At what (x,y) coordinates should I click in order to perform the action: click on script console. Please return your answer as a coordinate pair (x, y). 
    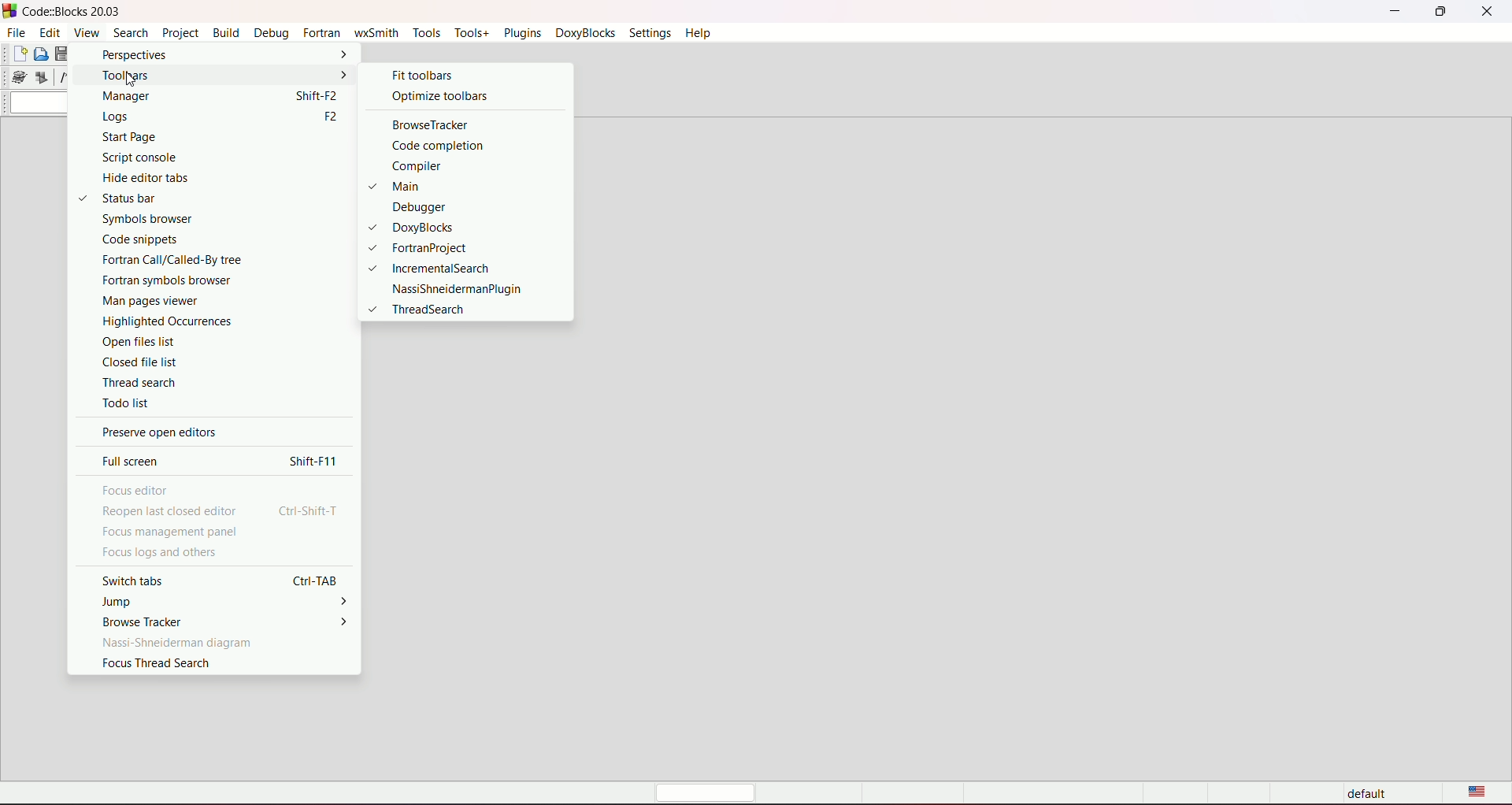
    Looking at the image, I should click on (196, 158).